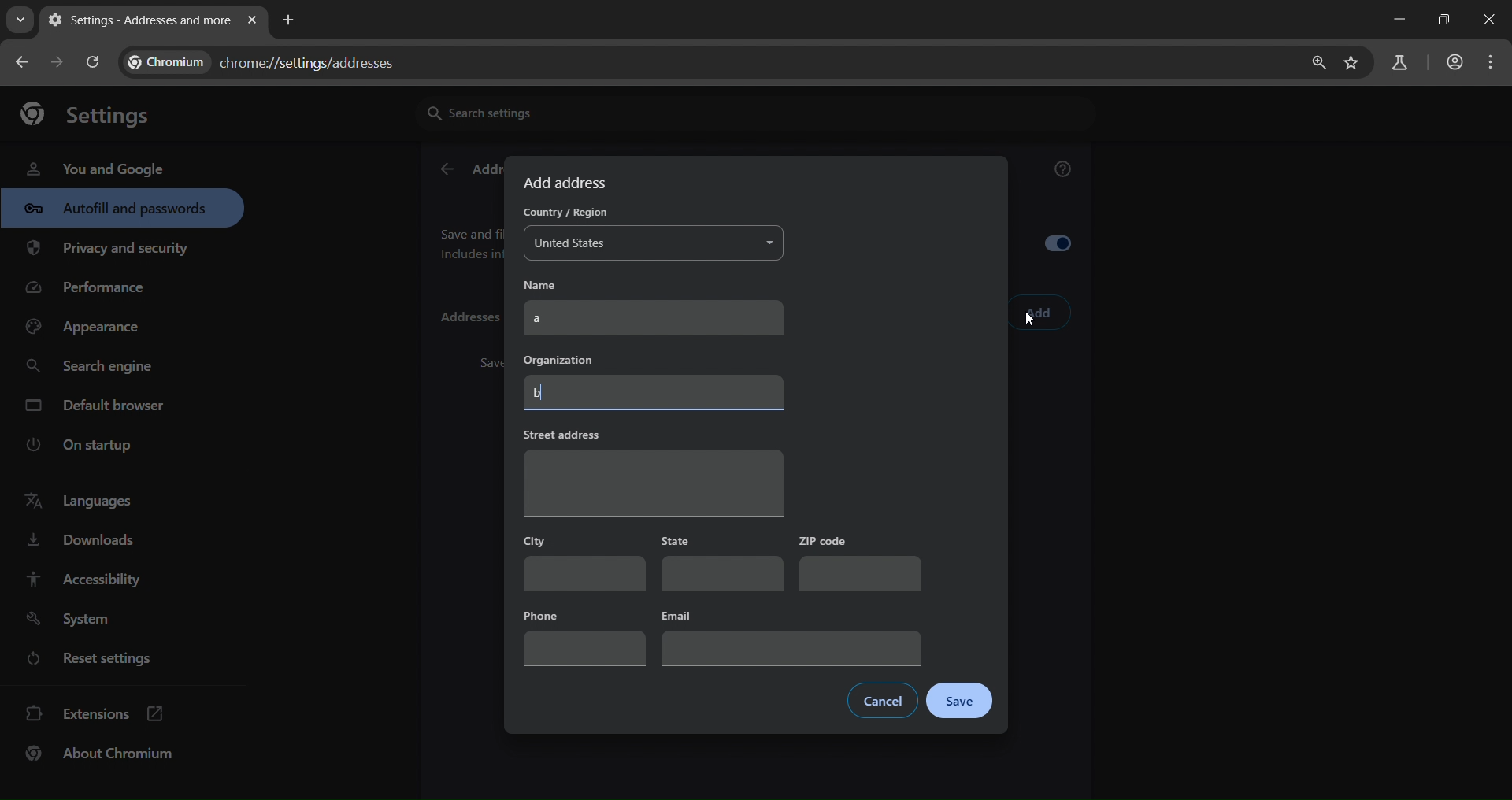 This screenshot has width=1512, height=800. What do you see at coordinates (563, 112) in the screenshot?
I see `search settings` at bounding box center [563, 112].